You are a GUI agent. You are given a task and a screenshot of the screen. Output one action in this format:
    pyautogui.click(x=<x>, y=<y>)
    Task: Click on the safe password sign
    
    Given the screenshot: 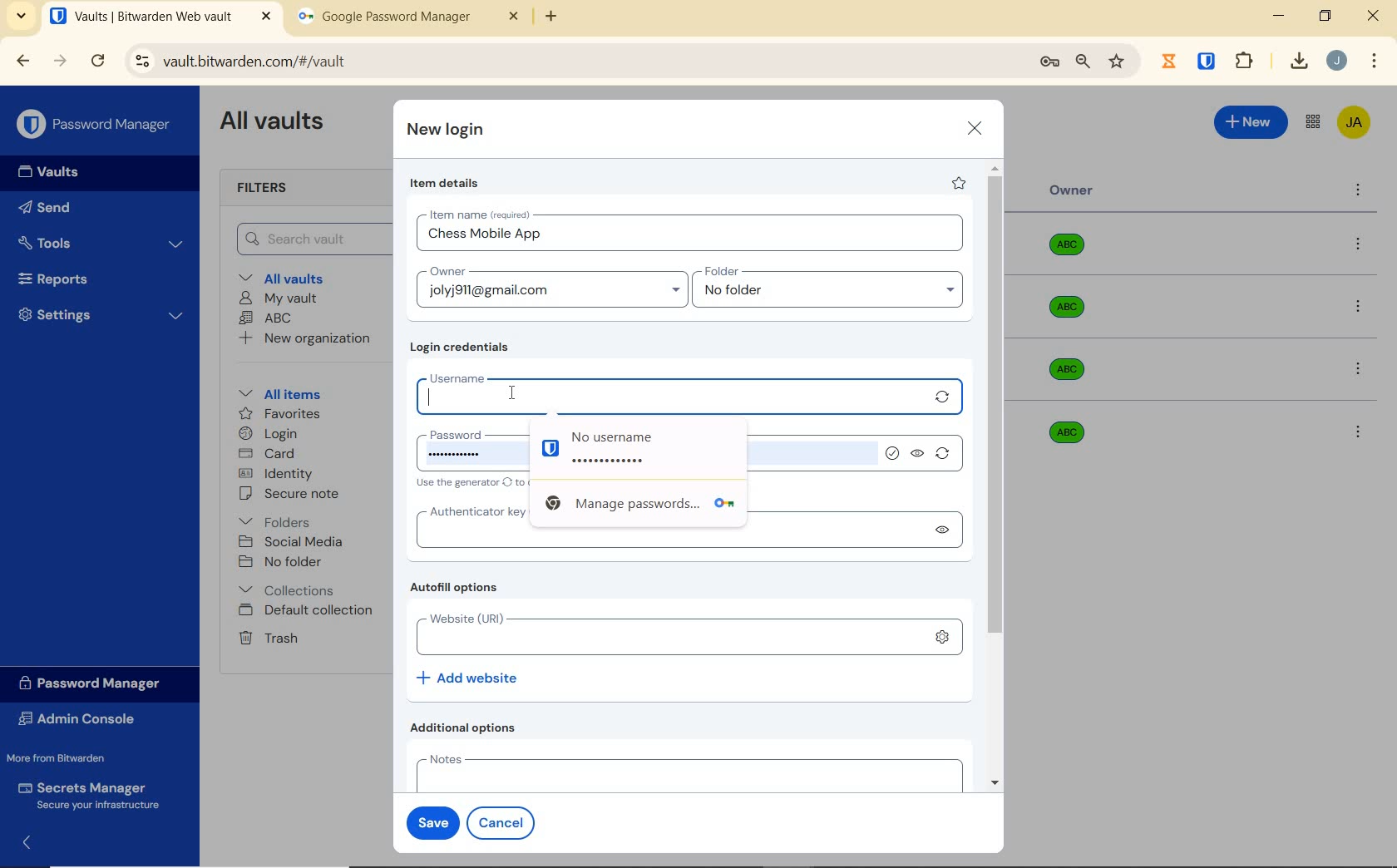 What is the action you would take?
    pyautogui.click(x=545, y=447)
    